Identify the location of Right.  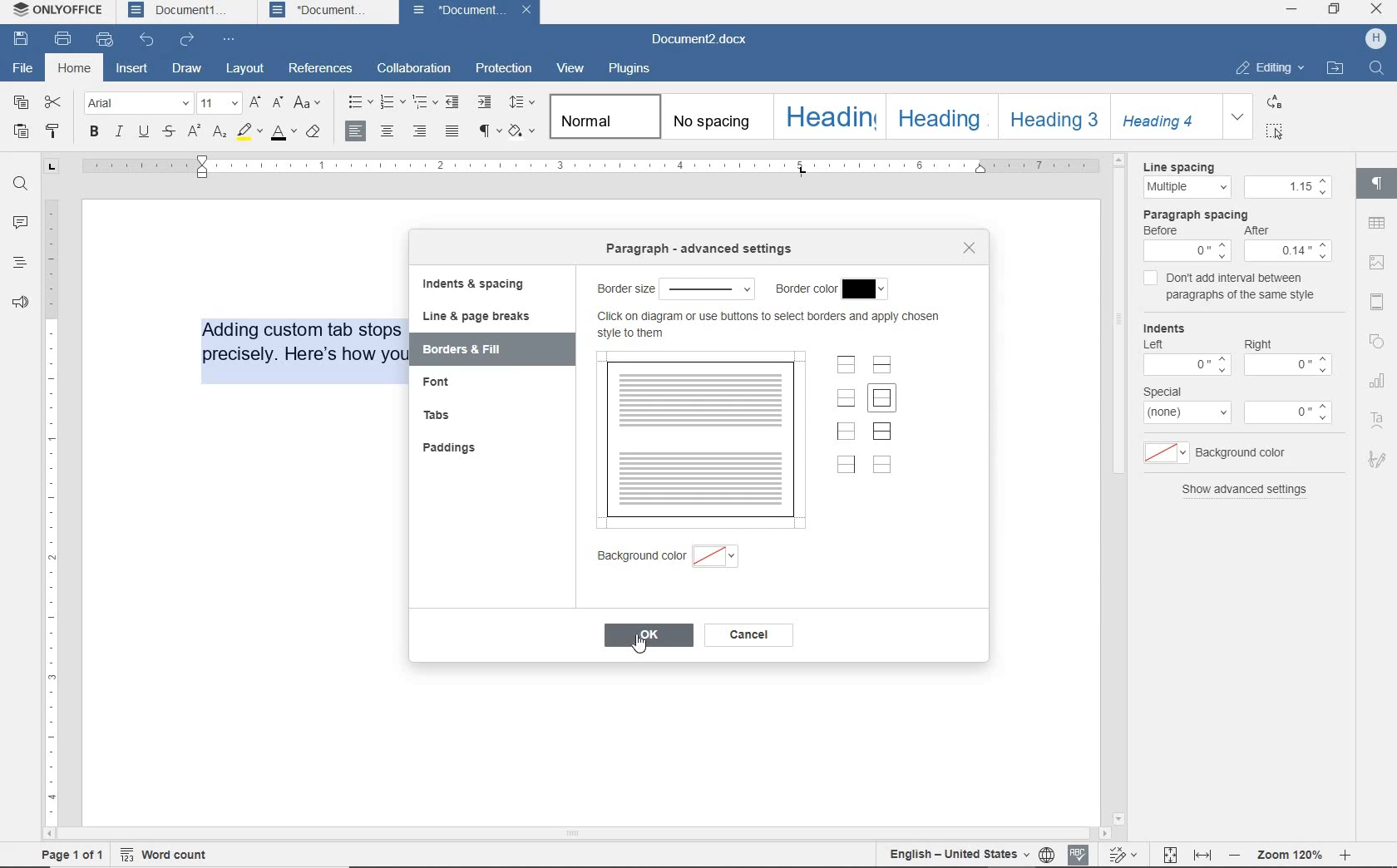
(1263, 343).